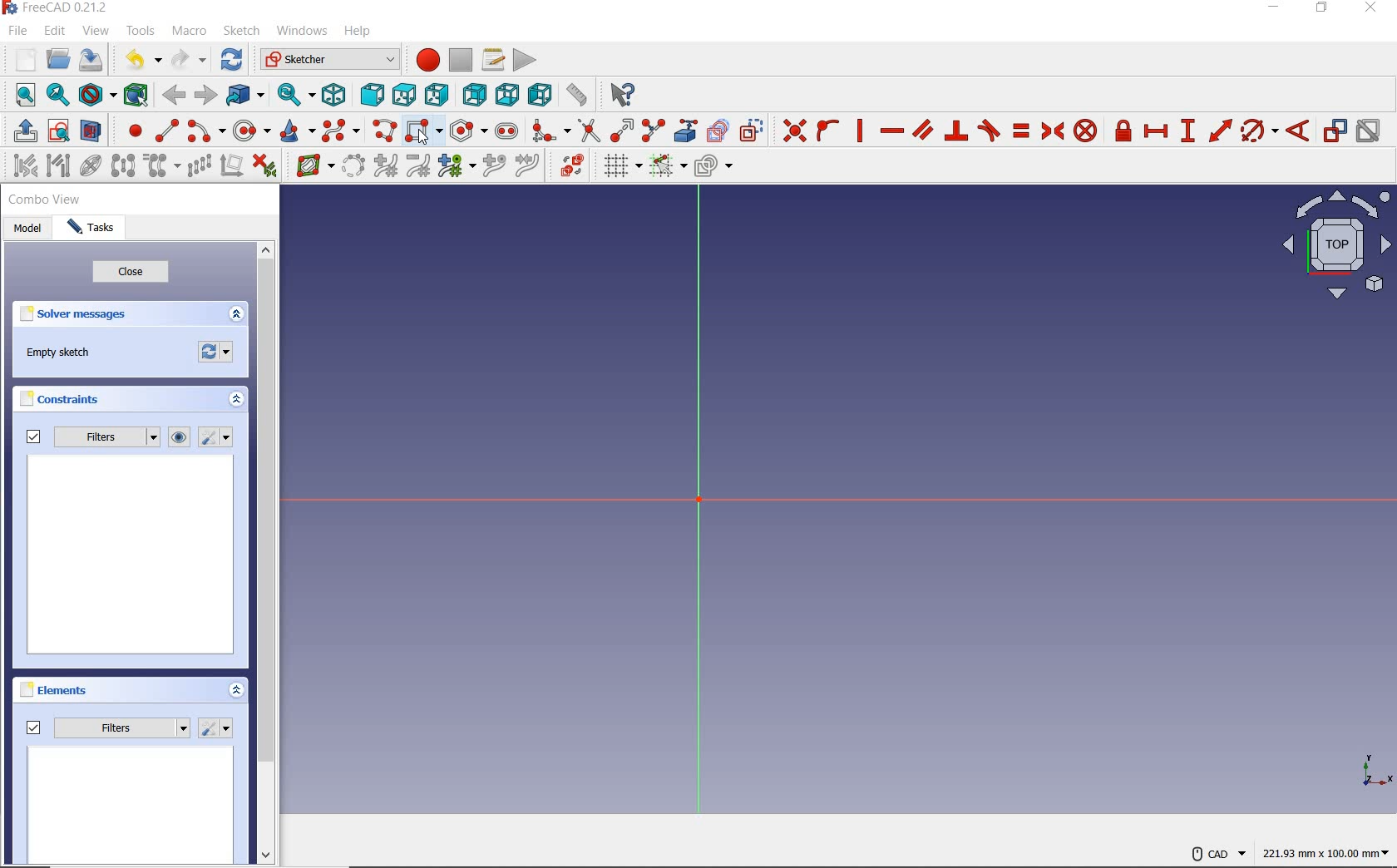 Image resolution: width=1397 pixels, height=868 pixels. I want to click on constrain symmetrical, so click(1052, 131).